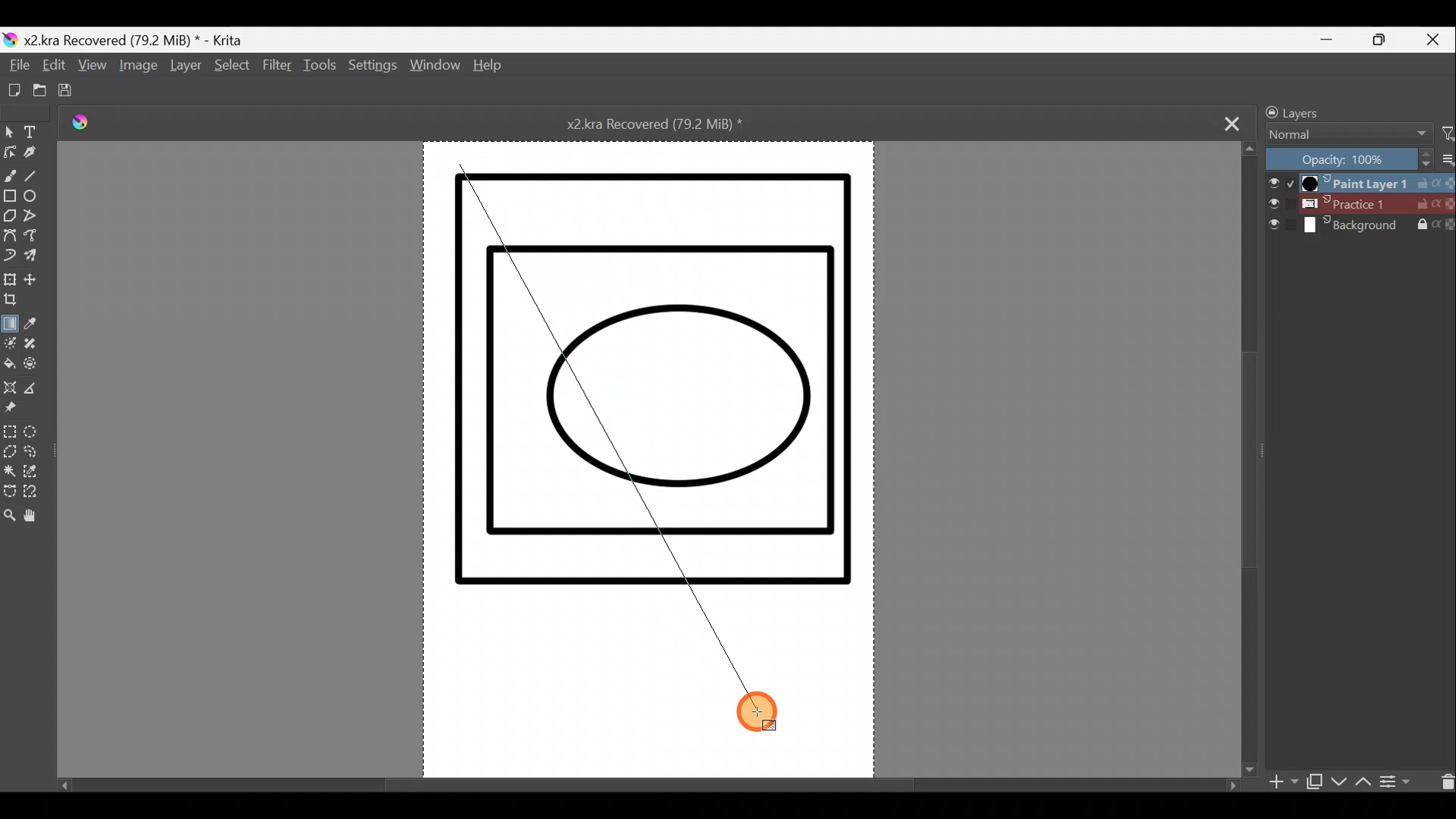  What do you see at coordinates (11, 413) in the screenshot?
I see `Reference images tool` at bounding box center [11, 413].